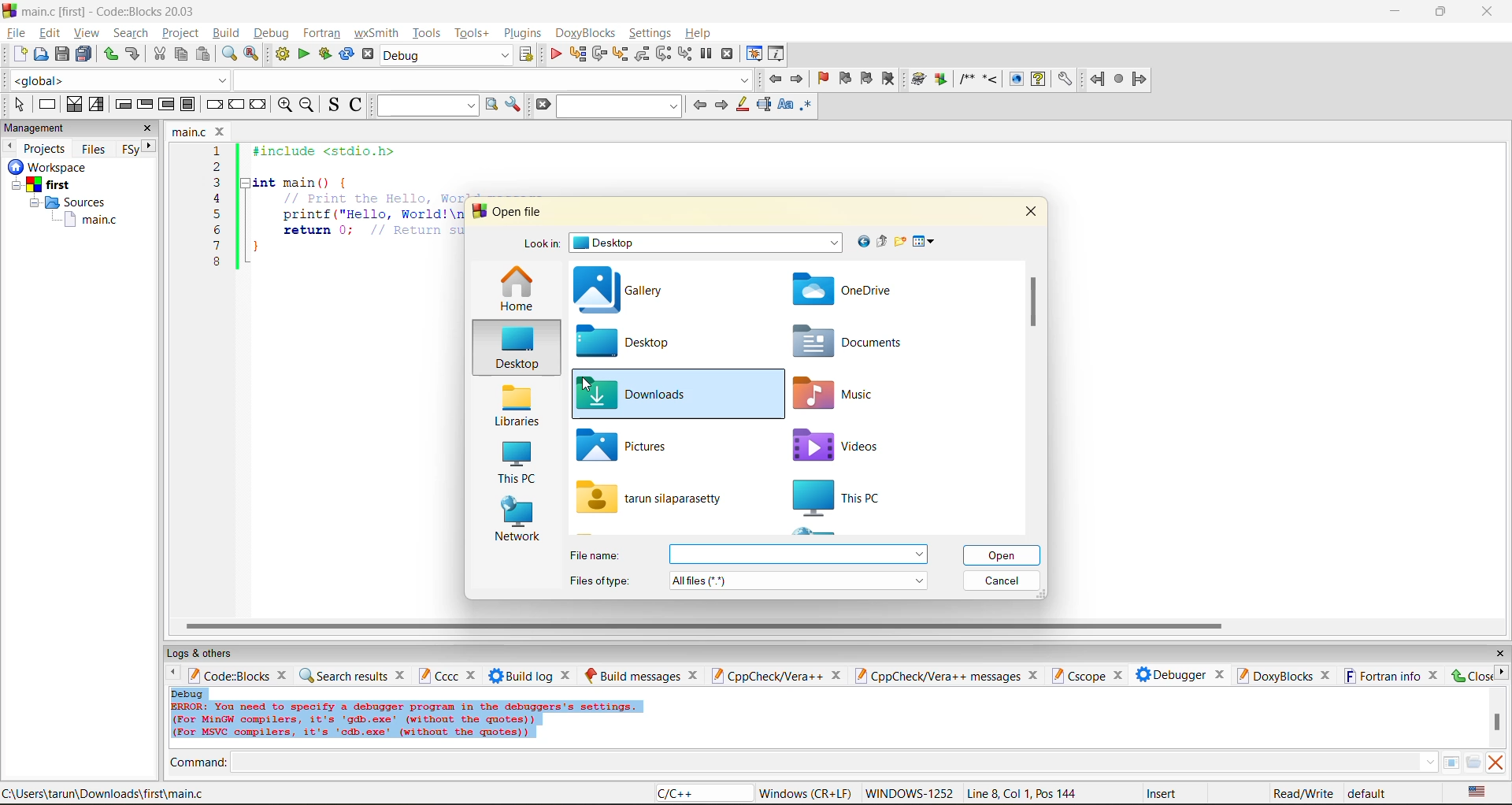  I want to click on step out, so click(641, 54).